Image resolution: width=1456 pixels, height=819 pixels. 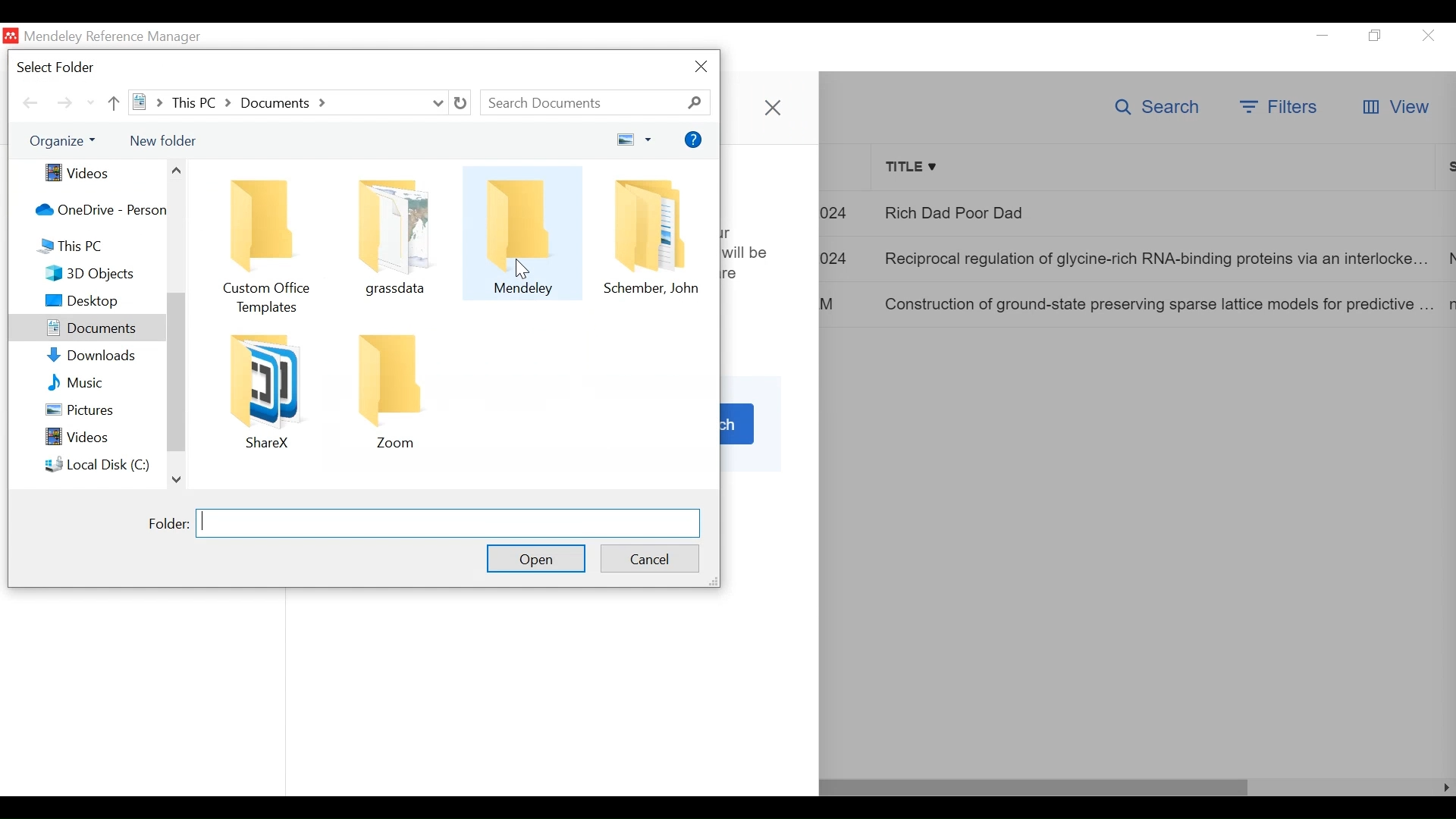 What do you see at coordinates (521, 234) in the screenshot?
I see `Folder` at bounding box center [521, 234].